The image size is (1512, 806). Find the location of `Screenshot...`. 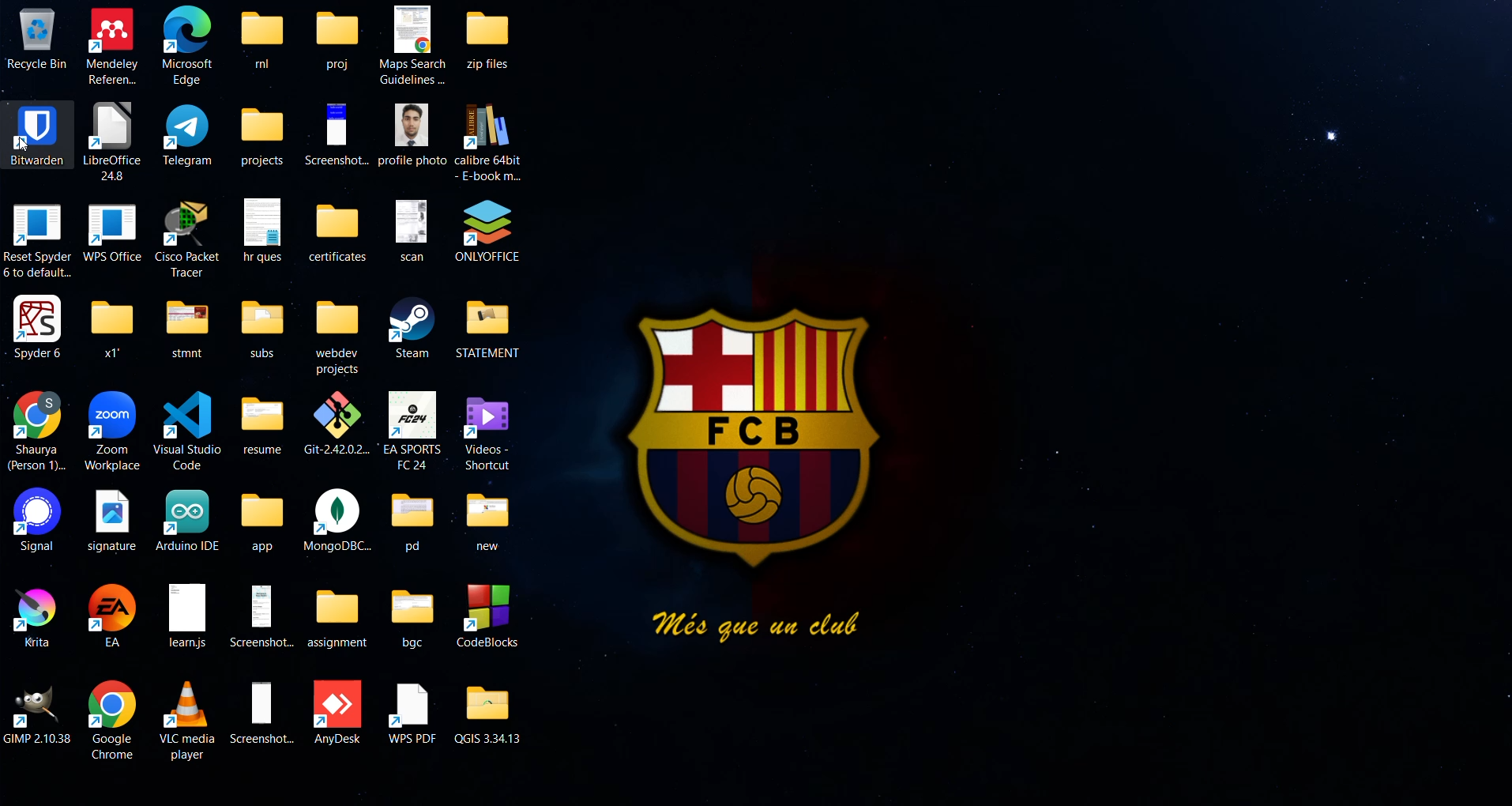

Screenshot... is located at coordinates (262, 713).